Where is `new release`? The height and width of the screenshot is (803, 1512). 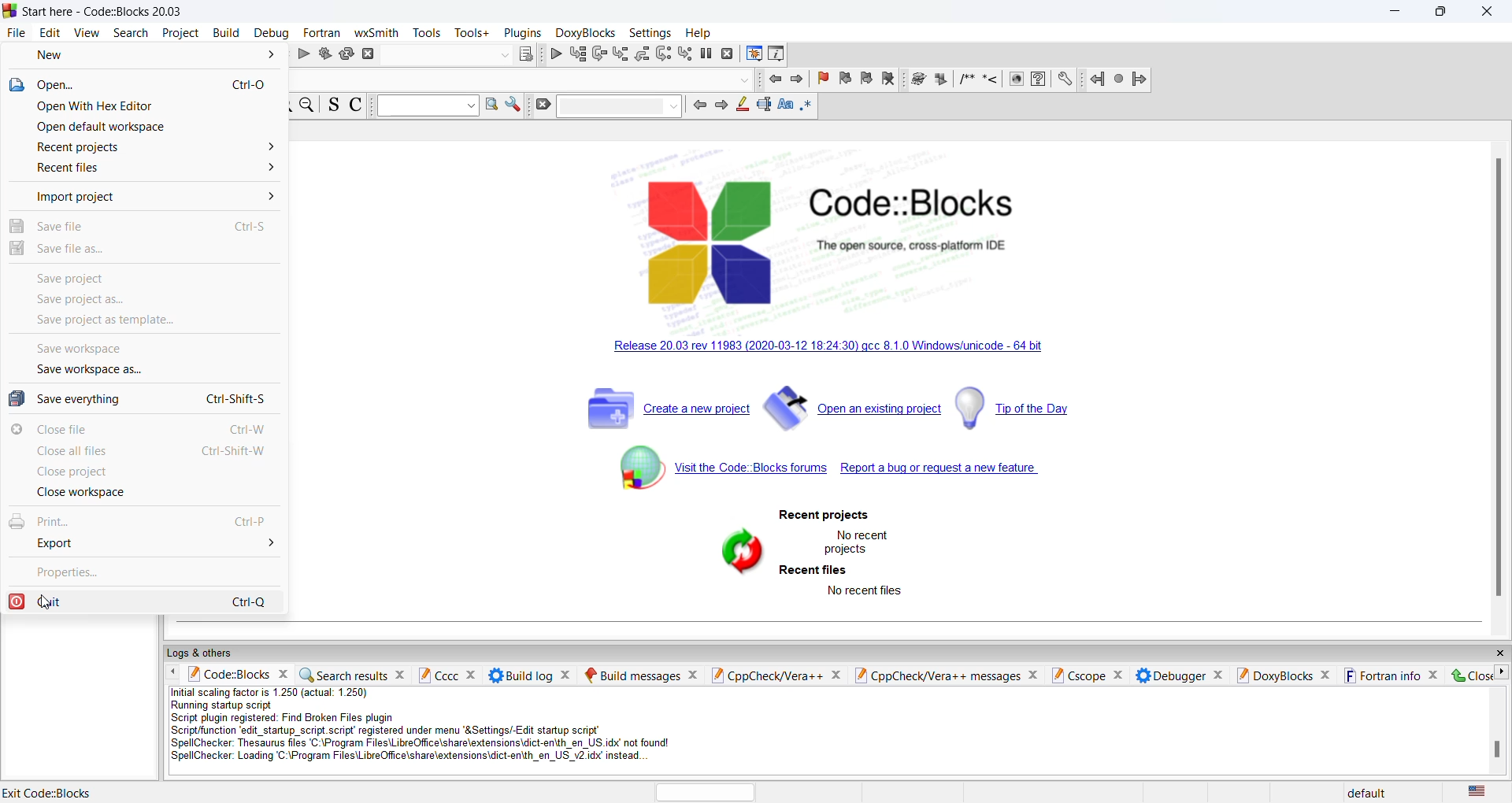 new release is located at coordinates (850, 350).